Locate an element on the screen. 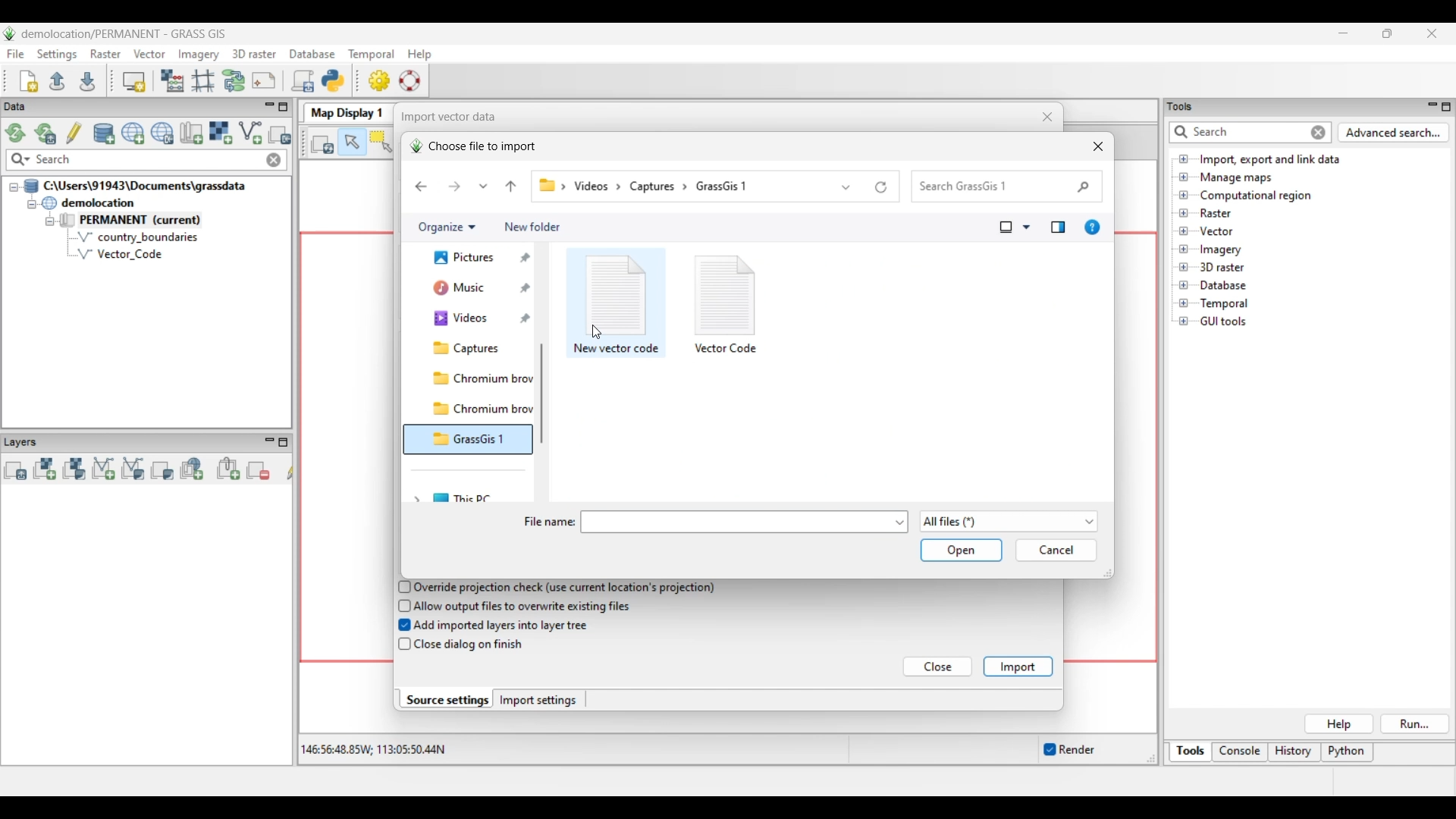  Close input for quick search is located at coordinates (1319, 133).